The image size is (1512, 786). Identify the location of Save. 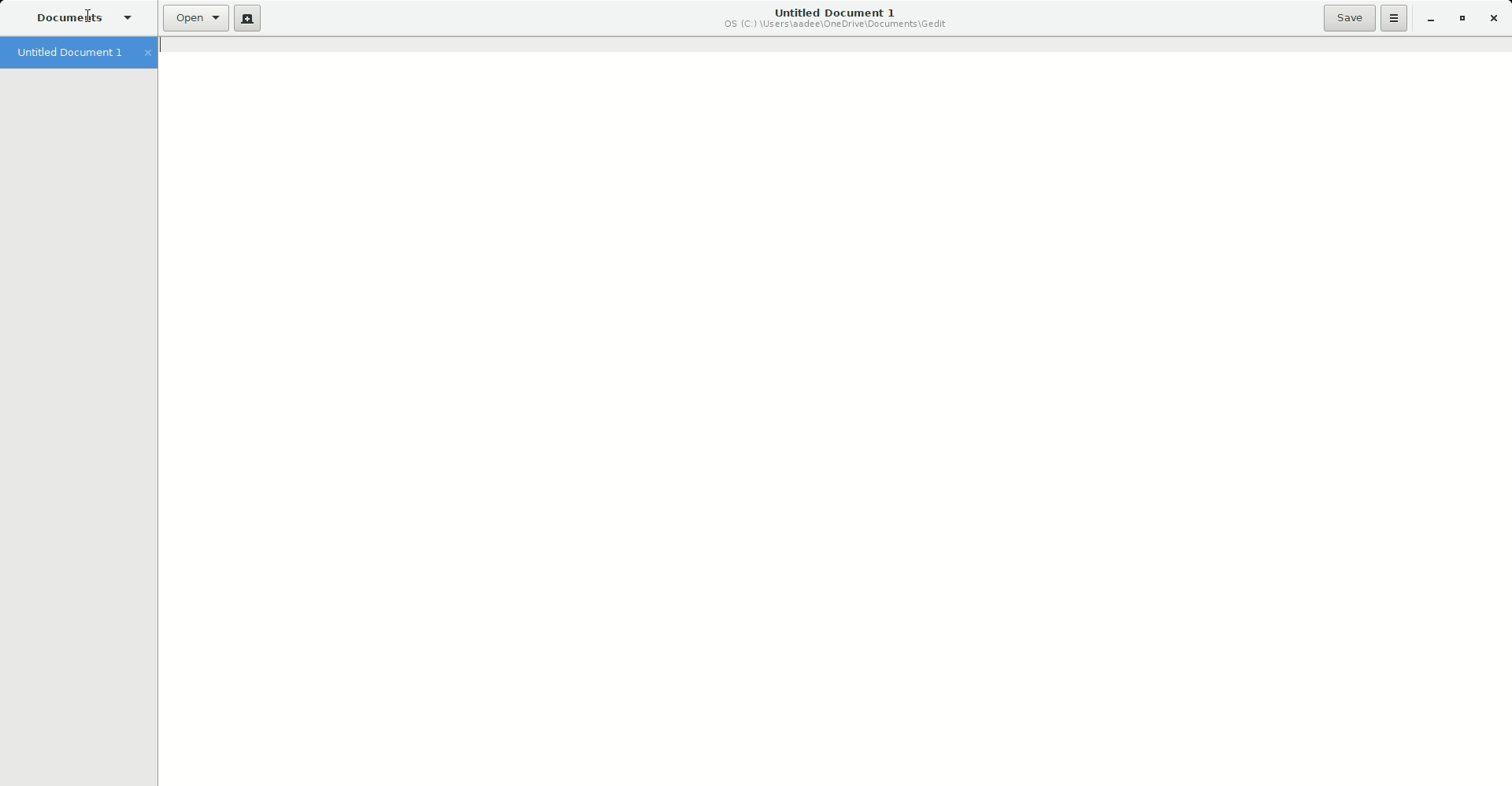
(1348, 19).